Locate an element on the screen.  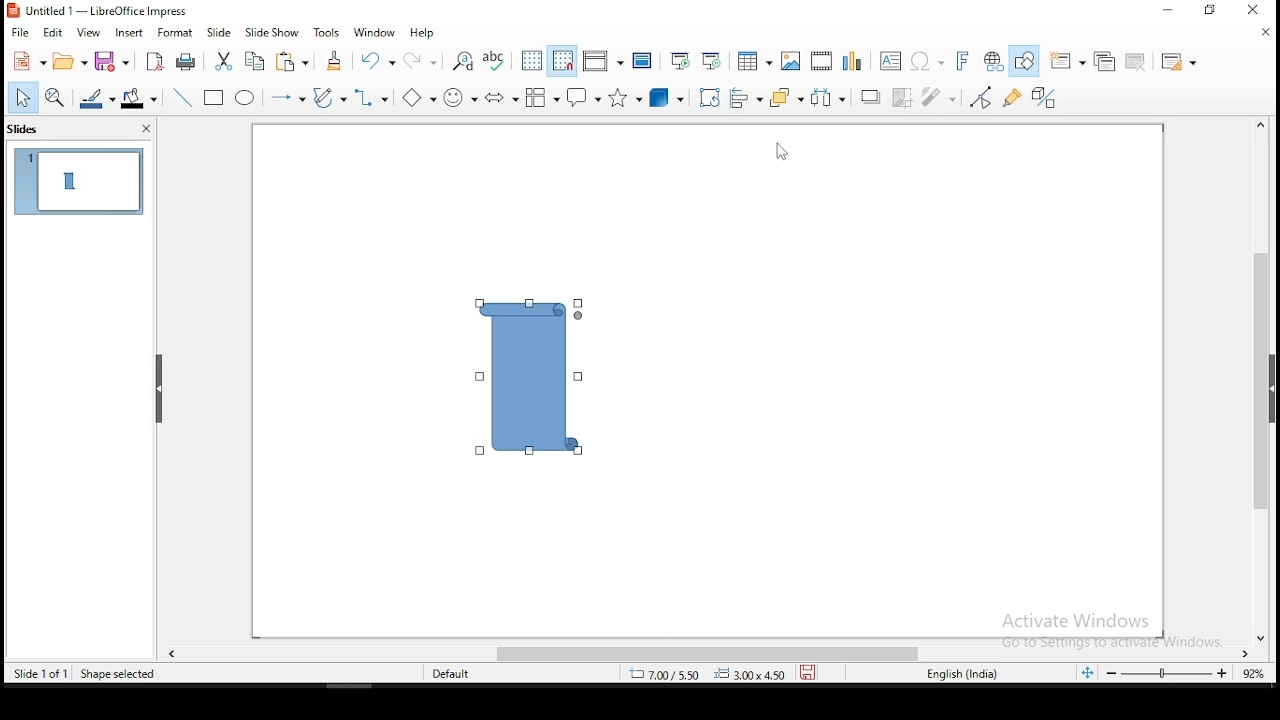
toggle extrusion is located at coordinates (1045, 100).